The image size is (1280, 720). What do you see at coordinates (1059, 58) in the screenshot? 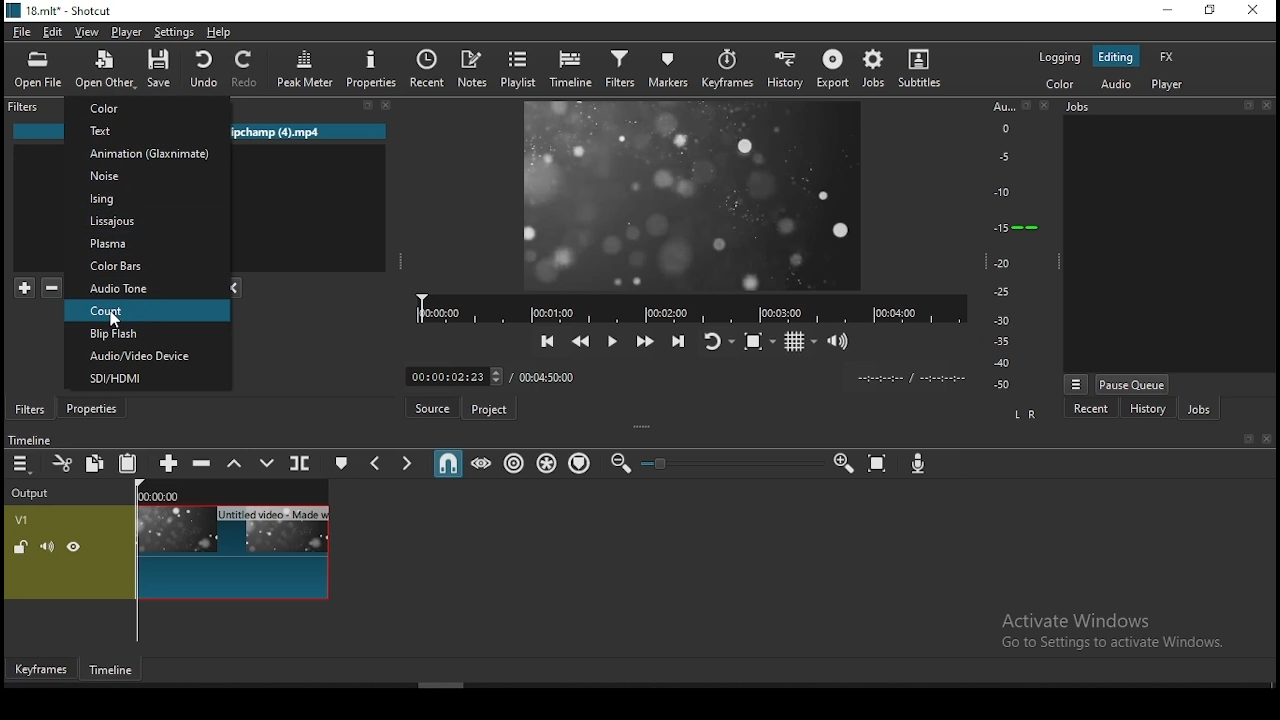
I see `logging` at bounding box center [1059, 58].